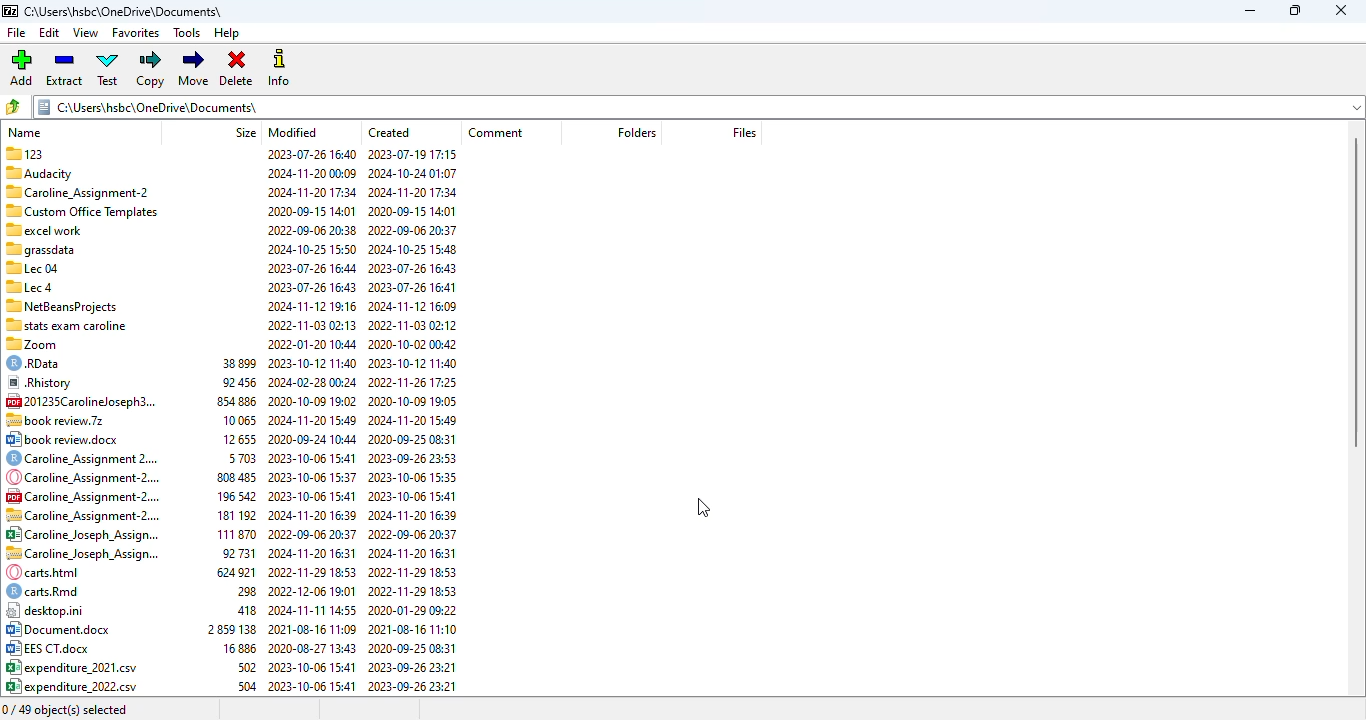 The image size is (1366, 720). Describe the element at coordinates (9, 11) in the screenshot. I see `logo` at that location.